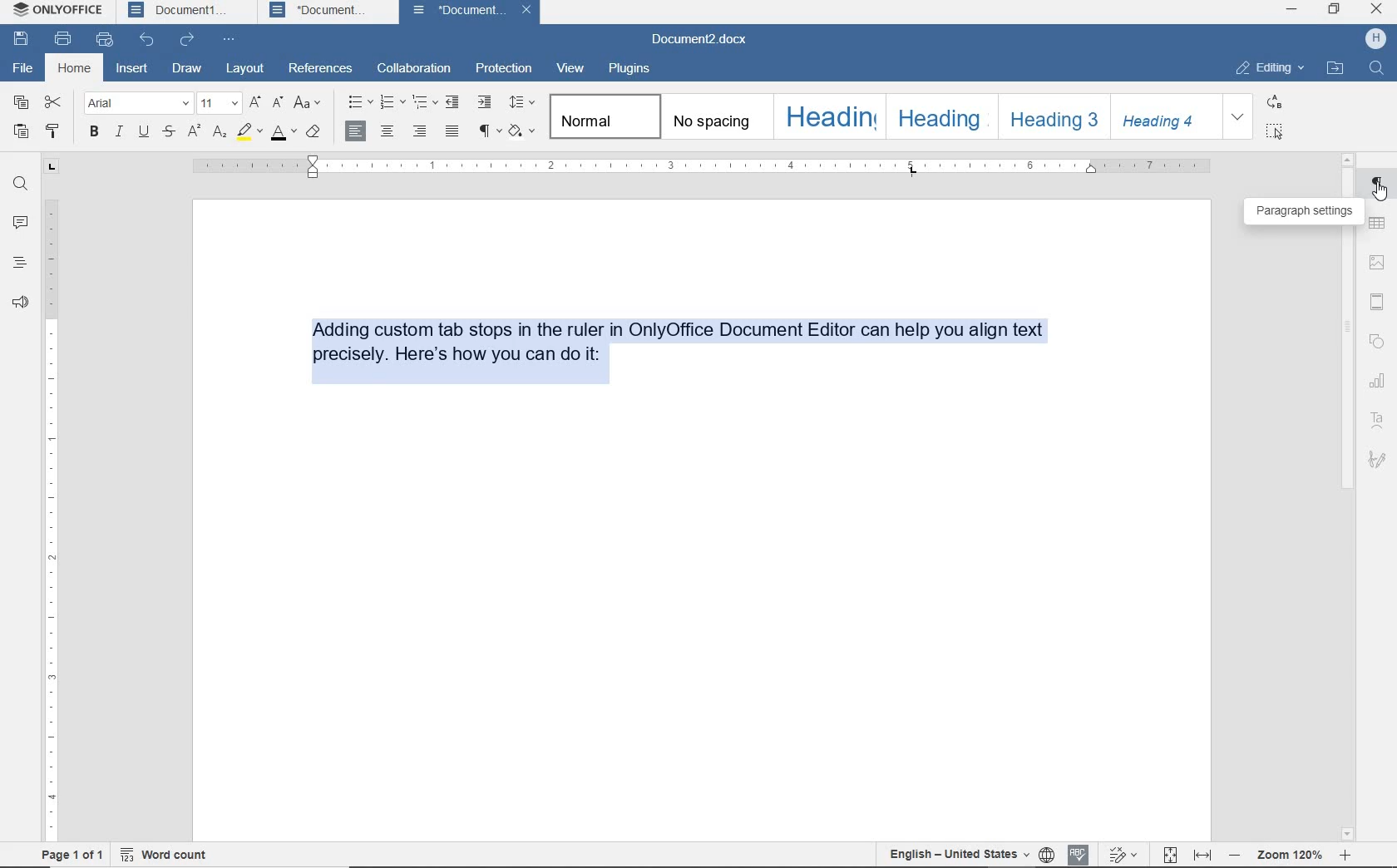 This screenshot has width=1397, height=868. Describe the element at coordinates (180, 11) in the screenshot. I see `Document1 tab` at that location.